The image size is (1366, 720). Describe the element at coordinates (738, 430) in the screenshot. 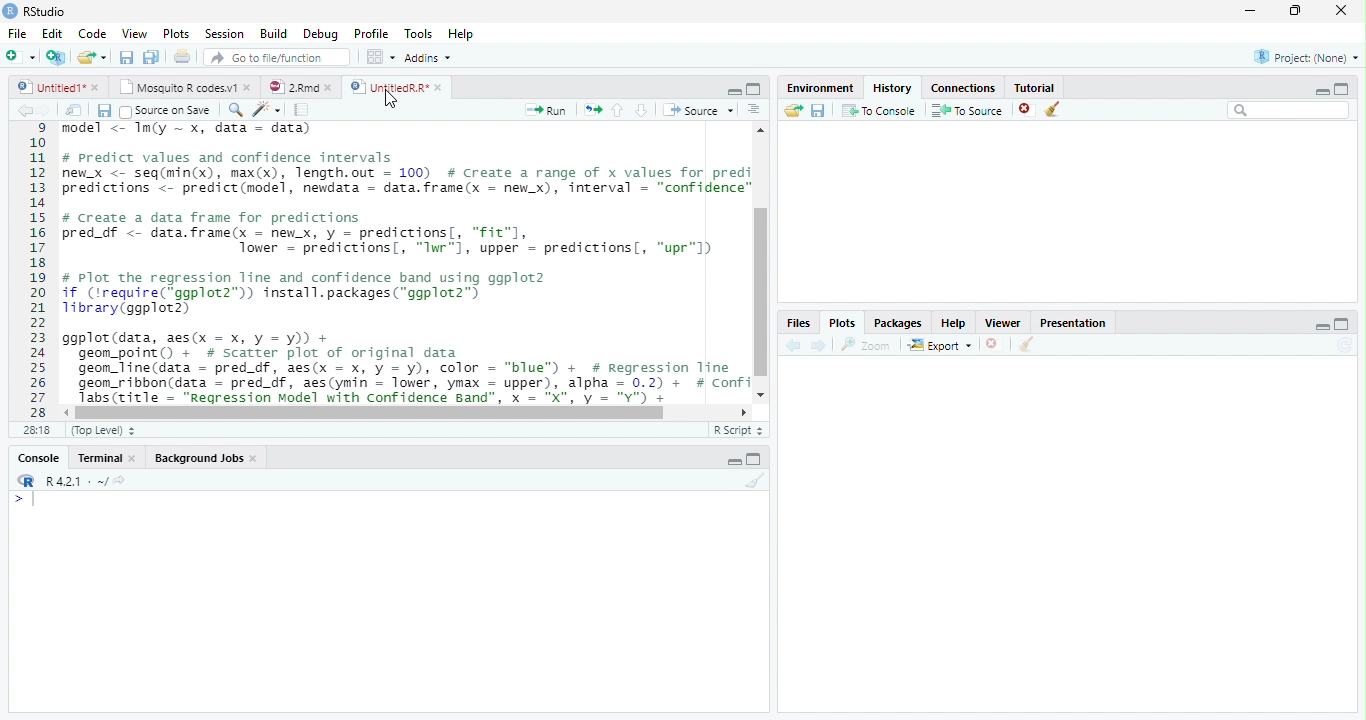

I see `R script` at that location.